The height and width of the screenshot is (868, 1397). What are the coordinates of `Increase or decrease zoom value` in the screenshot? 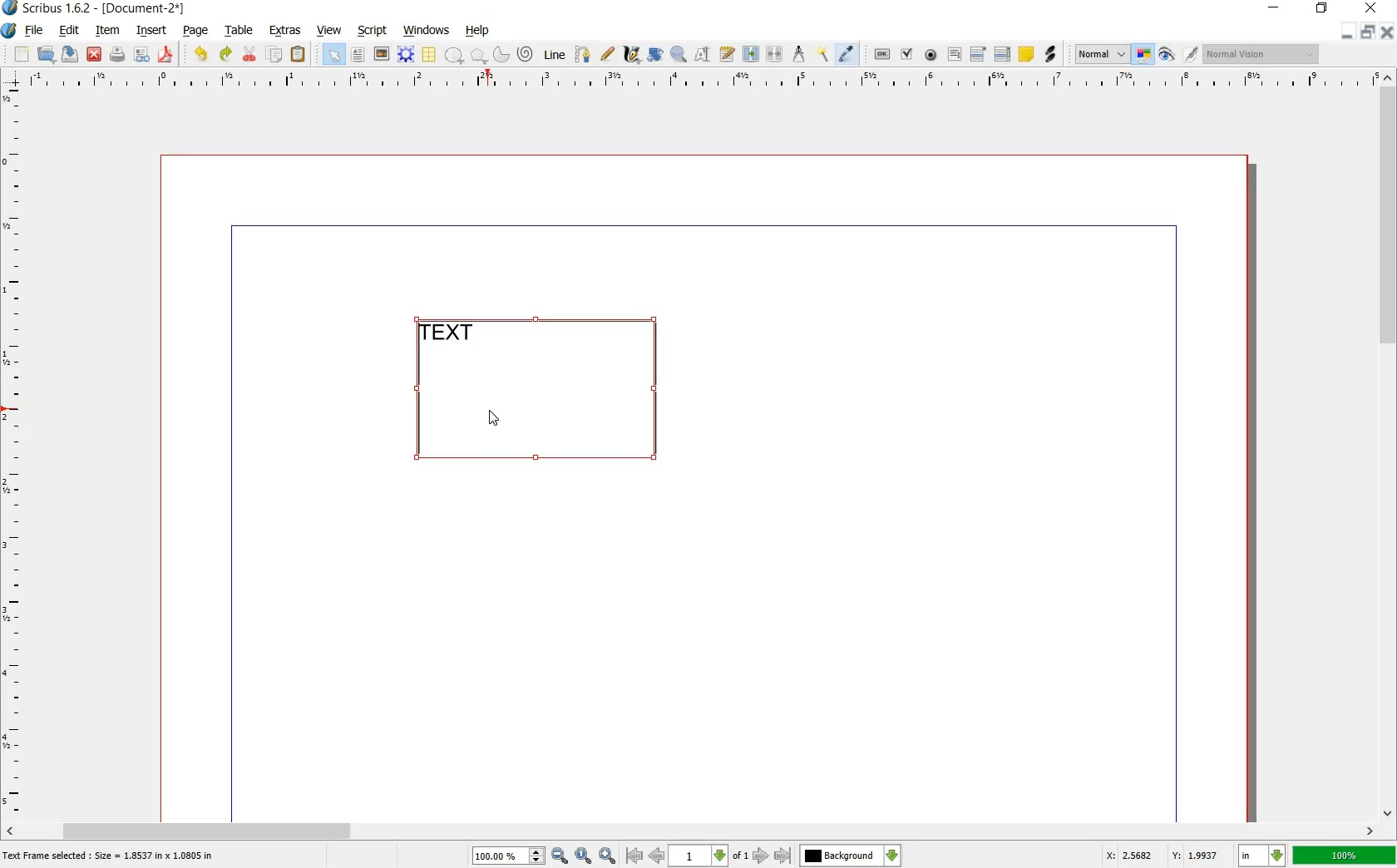 It's located at (537, 856).